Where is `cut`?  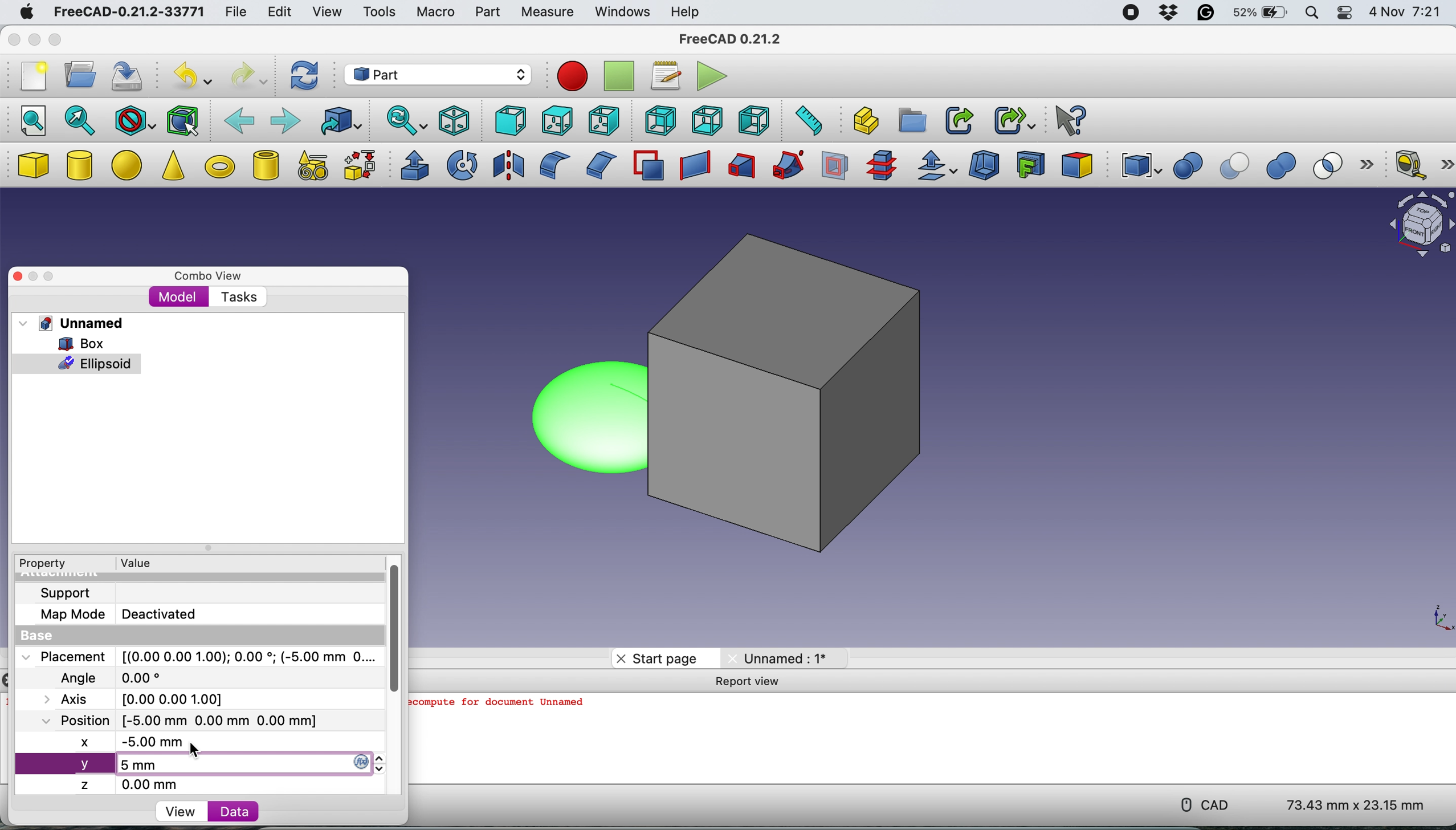 cut is located at coordinates (1237, 166).